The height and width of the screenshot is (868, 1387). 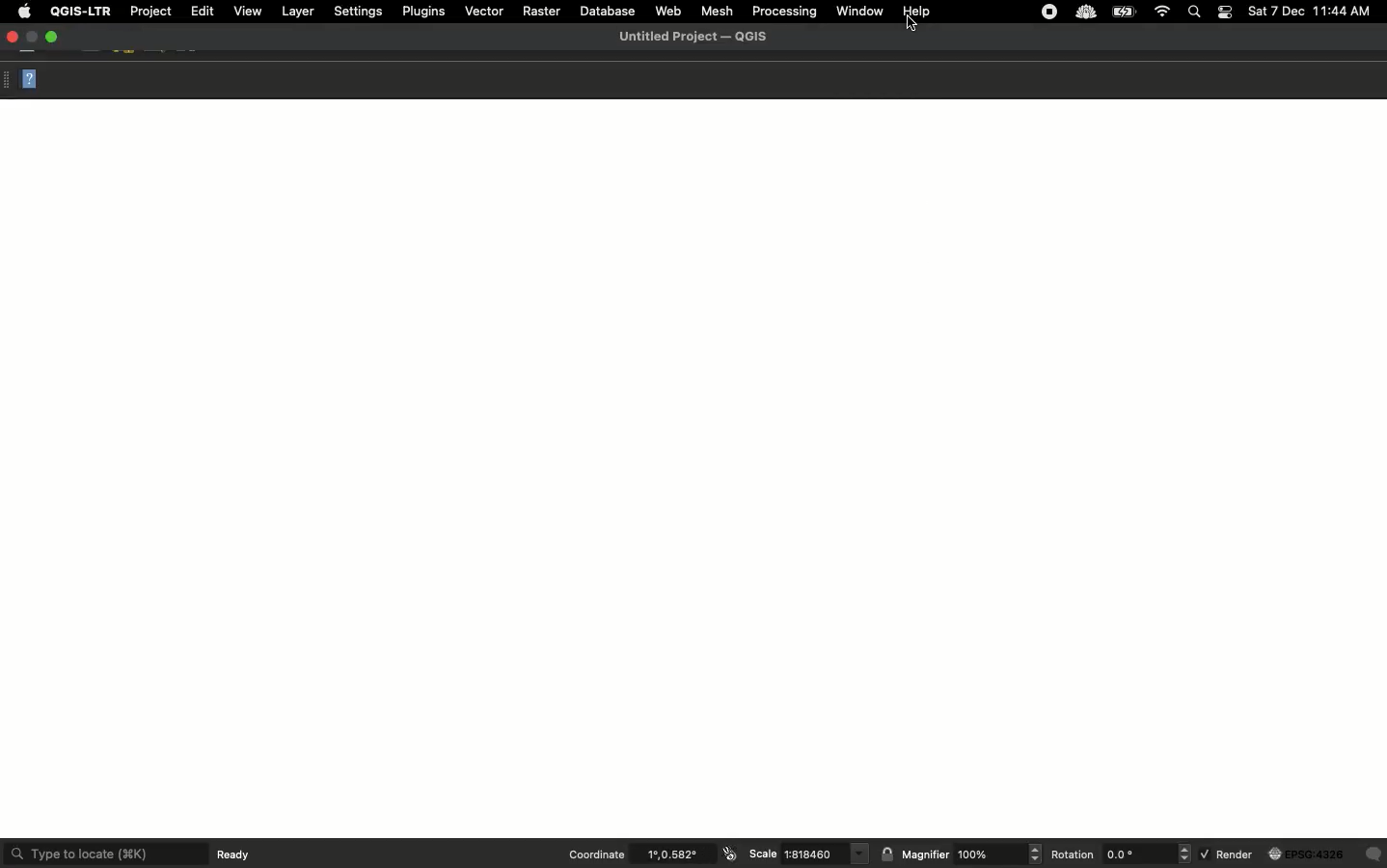 I want to click on Project, so click(x=150, y=12).